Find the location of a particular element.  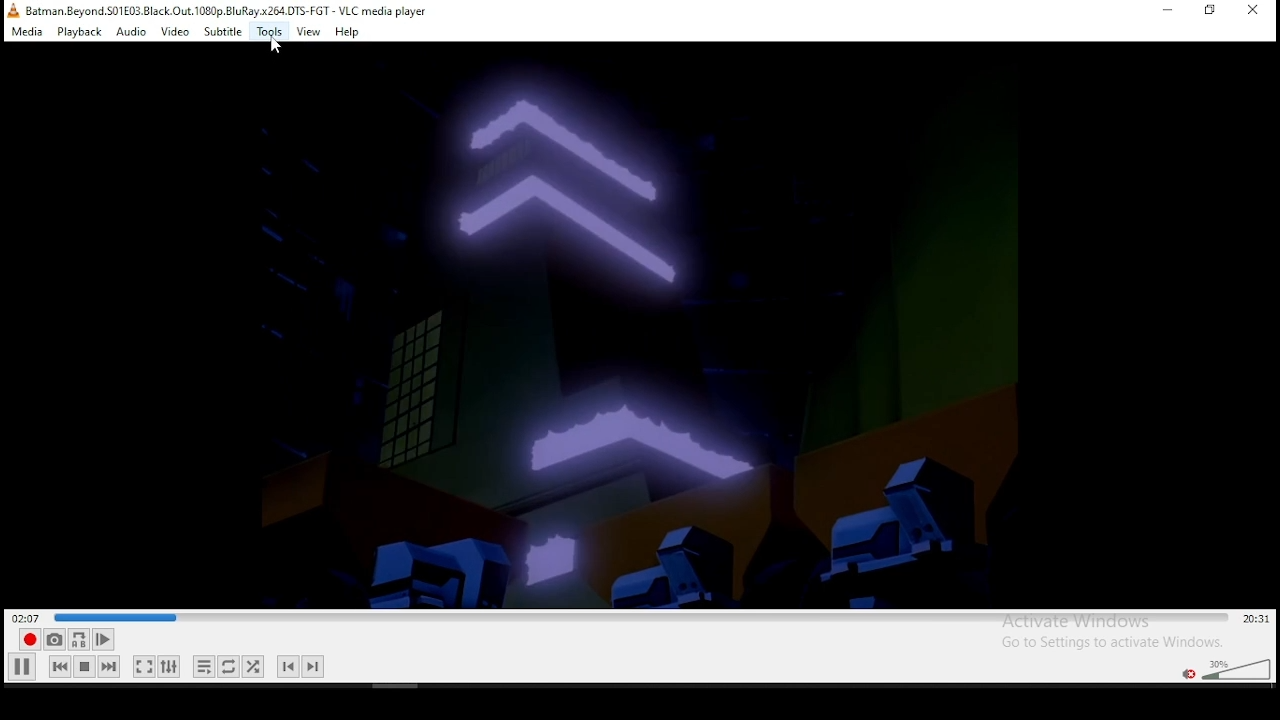

show extended settings is located at coordinates (171, 666).